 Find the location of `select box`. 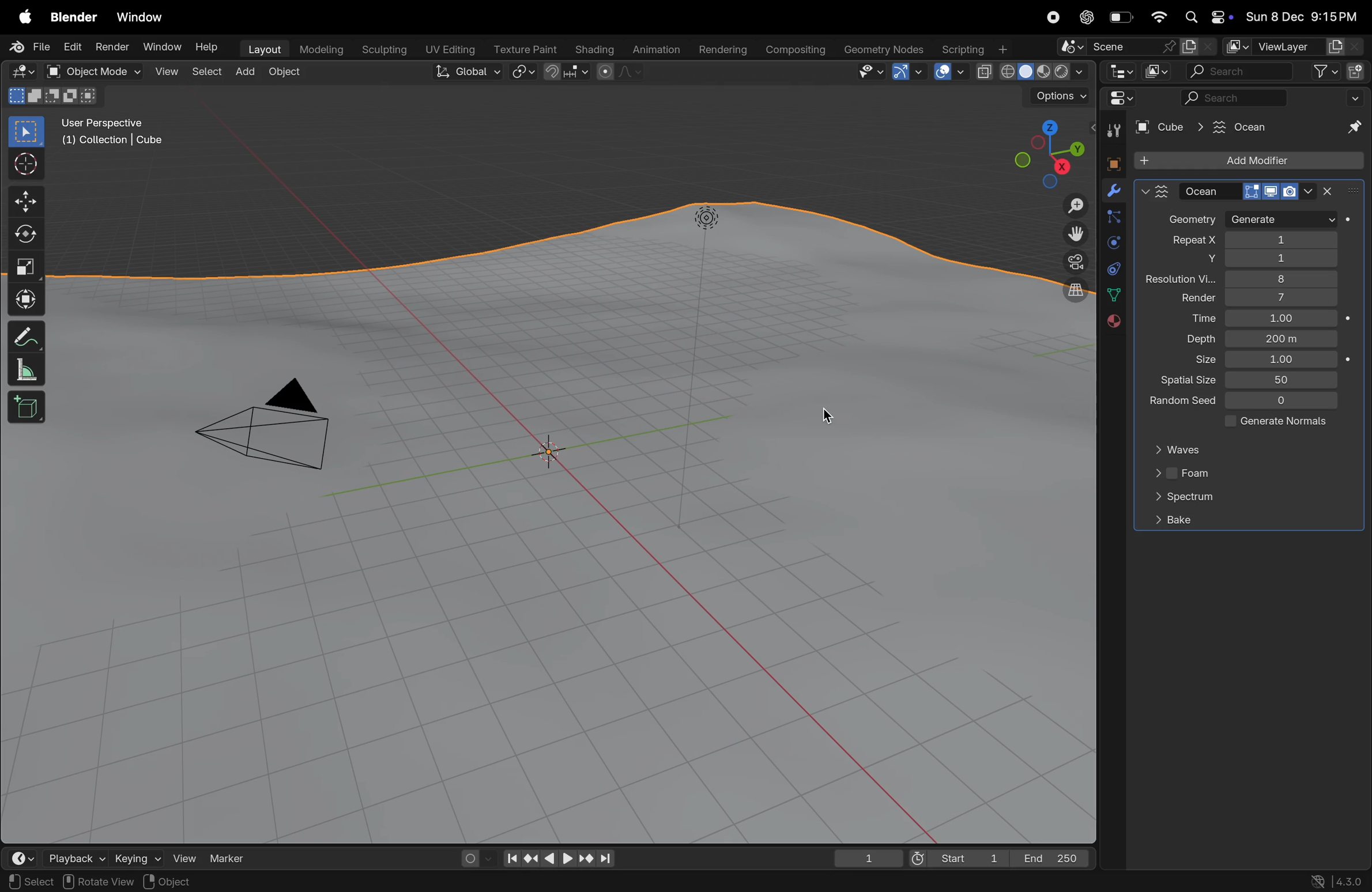

select box is located at coordinates (27, 131).